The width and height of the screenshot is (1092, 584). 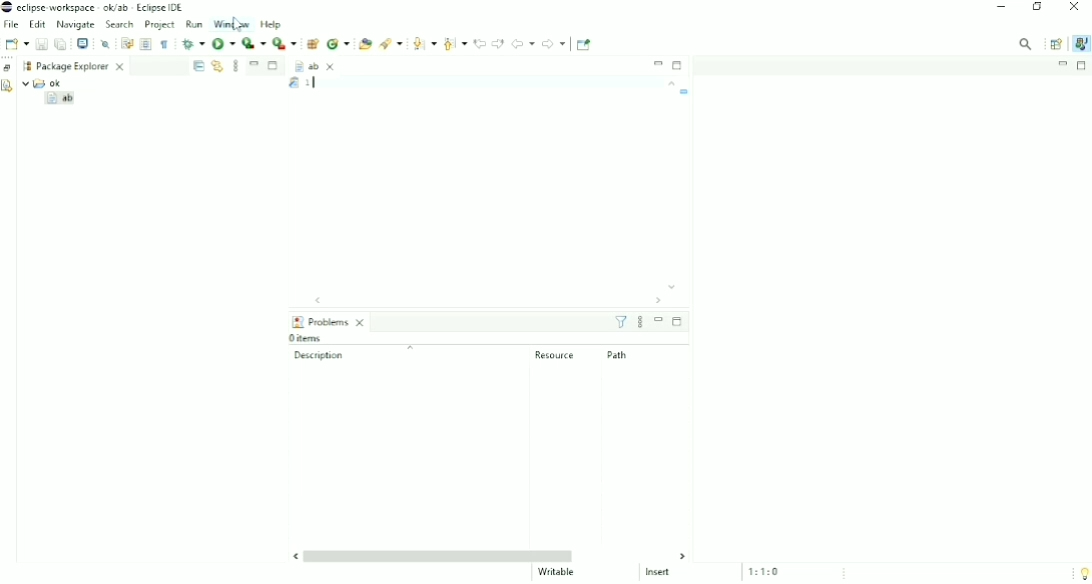 What do you see at coordinates (498, 43) in the screenshot?
I see `Next Edit Location` at bounding box center [498, 43].